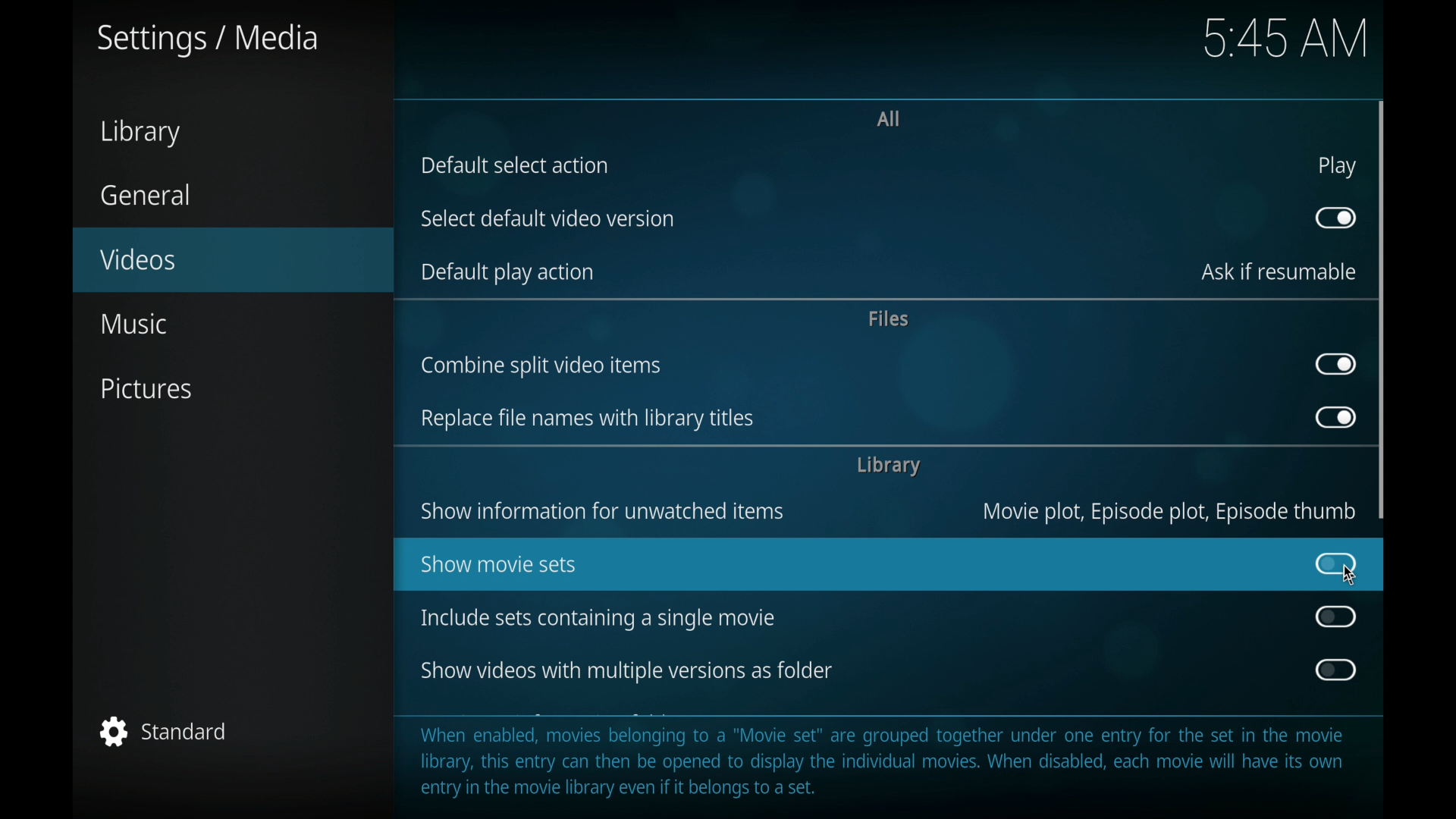 This screenshot has height=819, width=1456. I want to click on toggle button, so click(1334, 416).